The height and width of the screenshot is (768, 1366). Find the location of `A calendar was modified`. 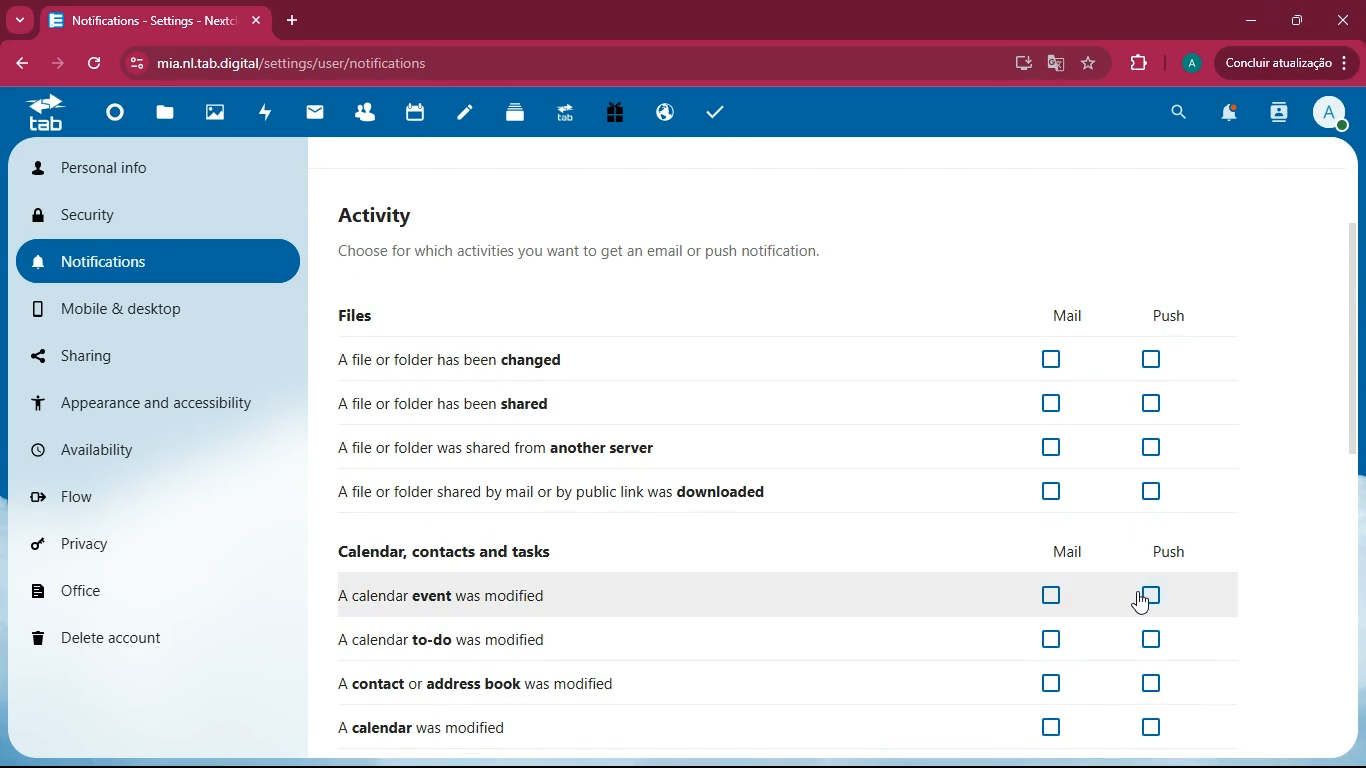

A calendar was modified is located at coordinates (422, 728).